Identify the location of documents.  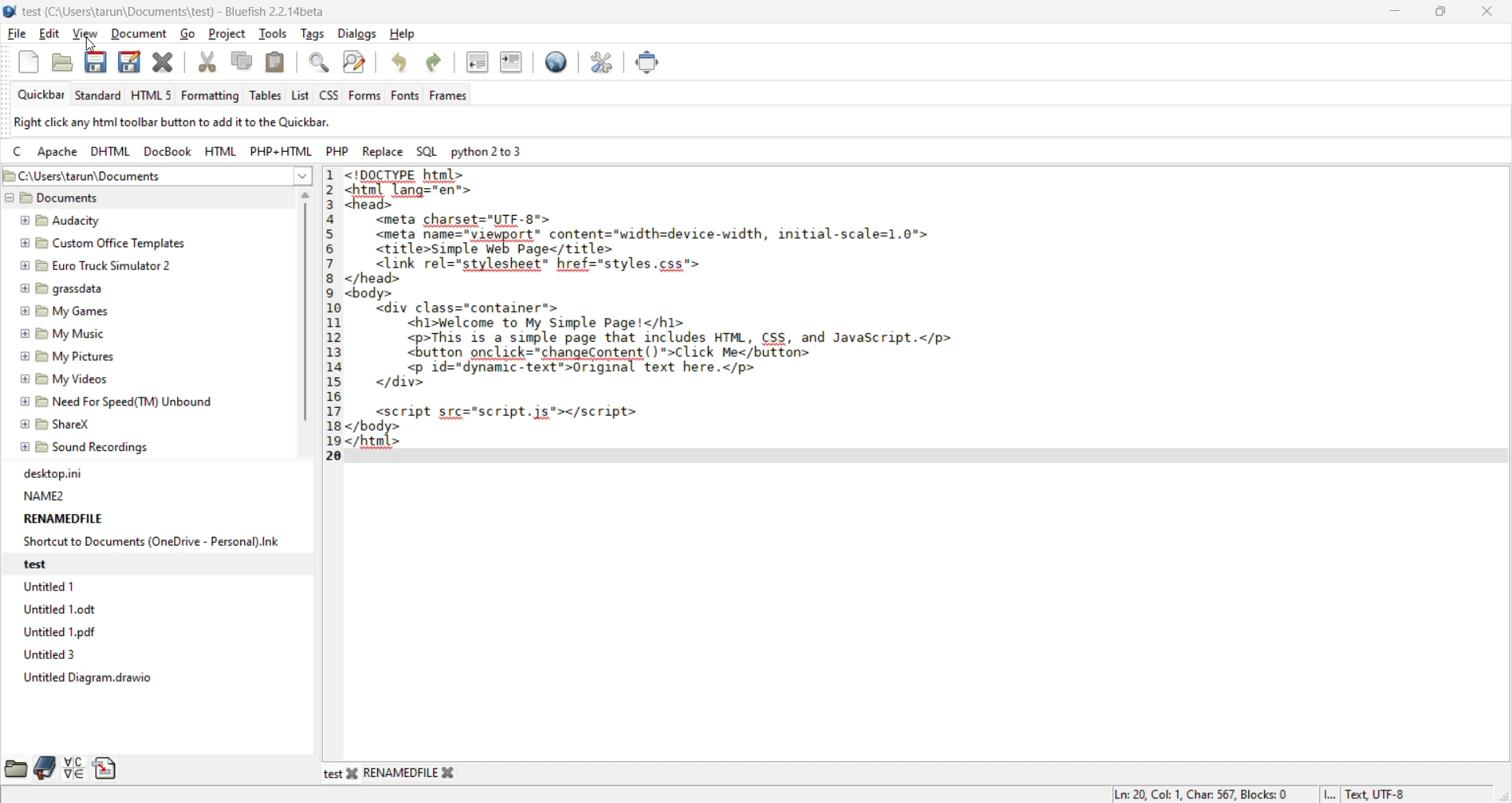
(77, 198).